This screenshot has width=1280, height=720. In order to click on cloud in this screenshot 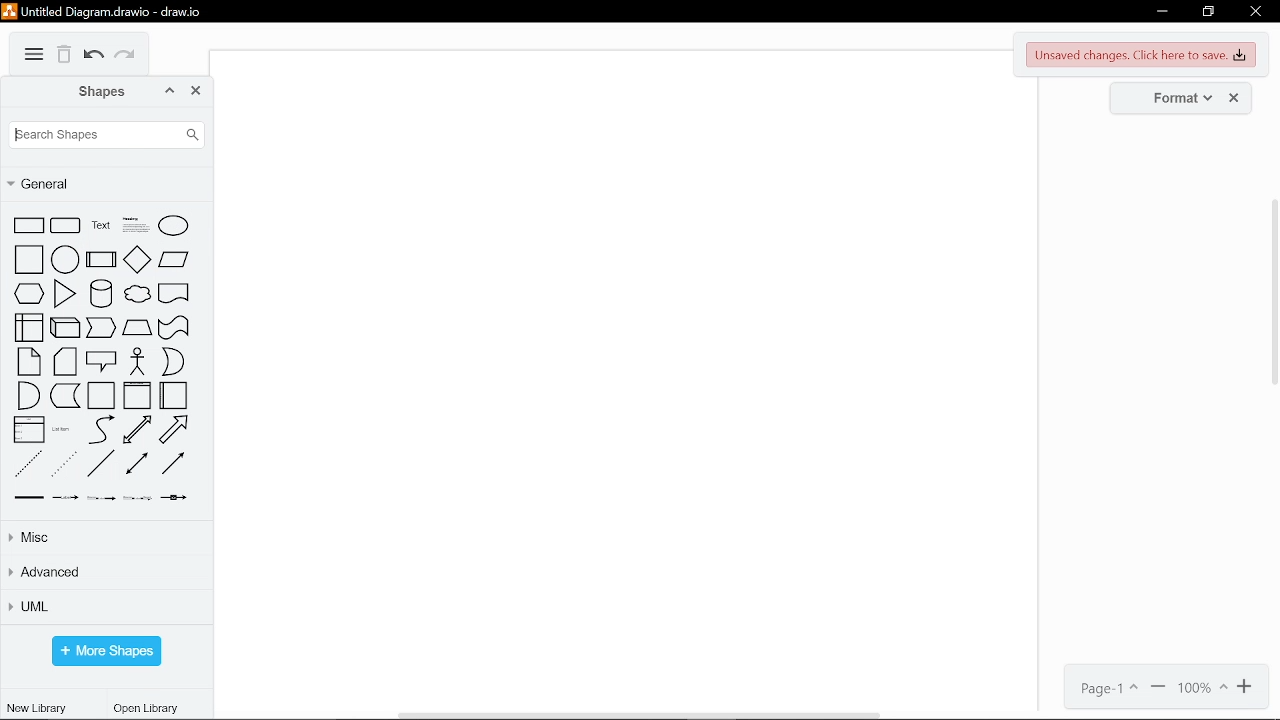, I will do `click(137, 296)`.